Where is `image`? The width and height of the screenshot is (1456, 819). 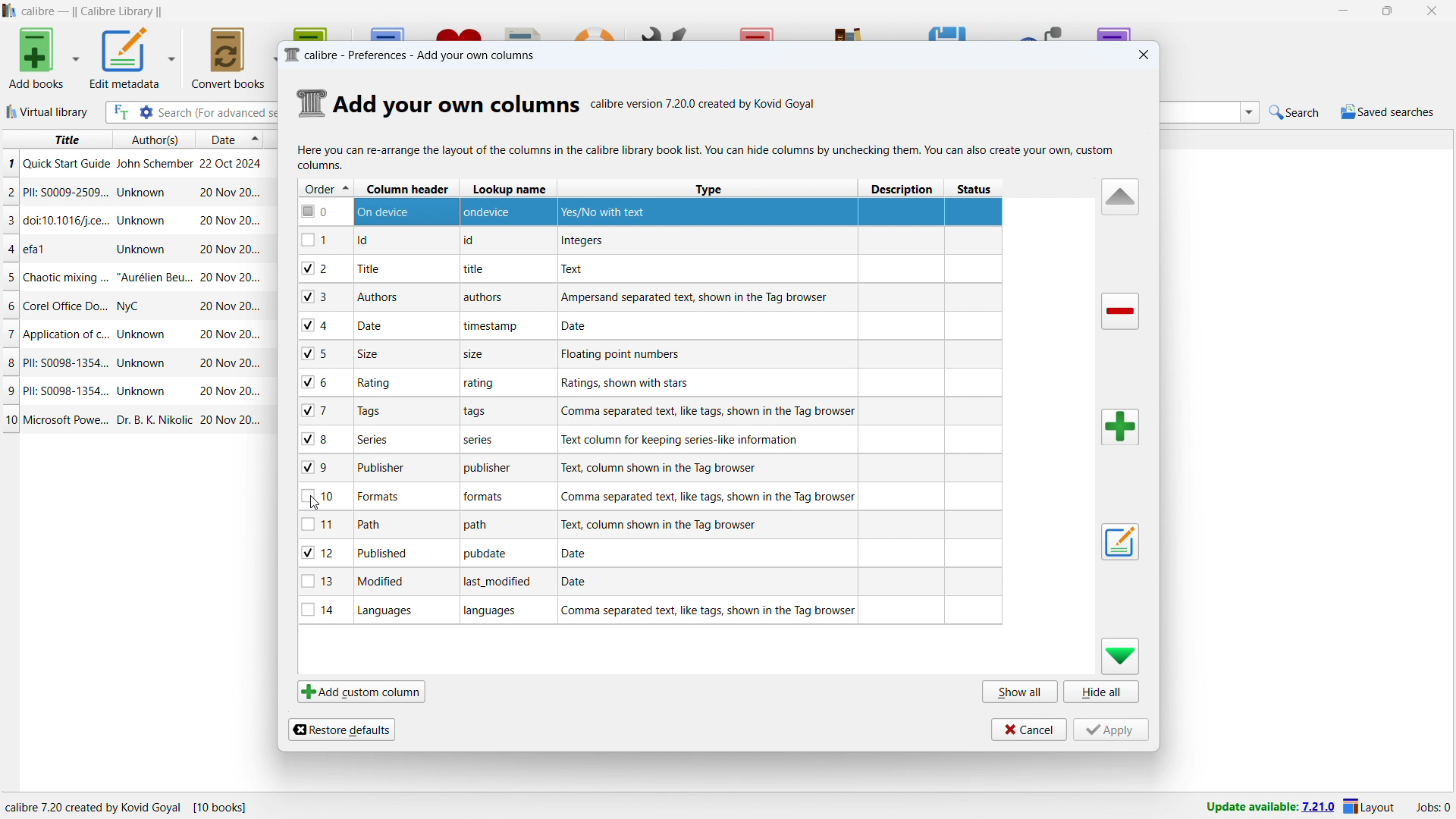 image is located at coordinates (309, 101).